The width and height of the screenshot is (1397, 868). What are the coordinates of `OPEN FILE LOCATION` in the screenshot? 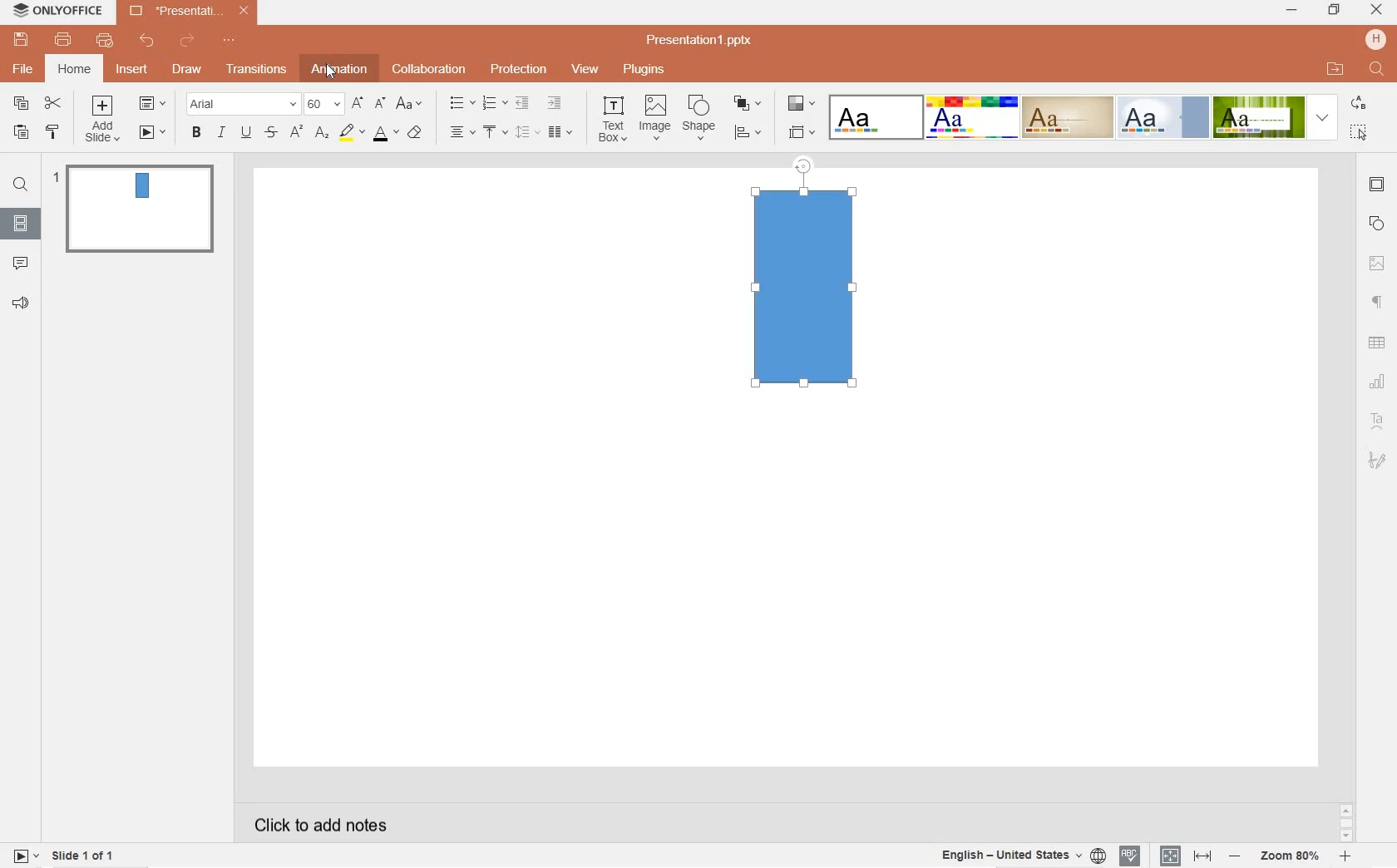 It's located at (1336, 69).